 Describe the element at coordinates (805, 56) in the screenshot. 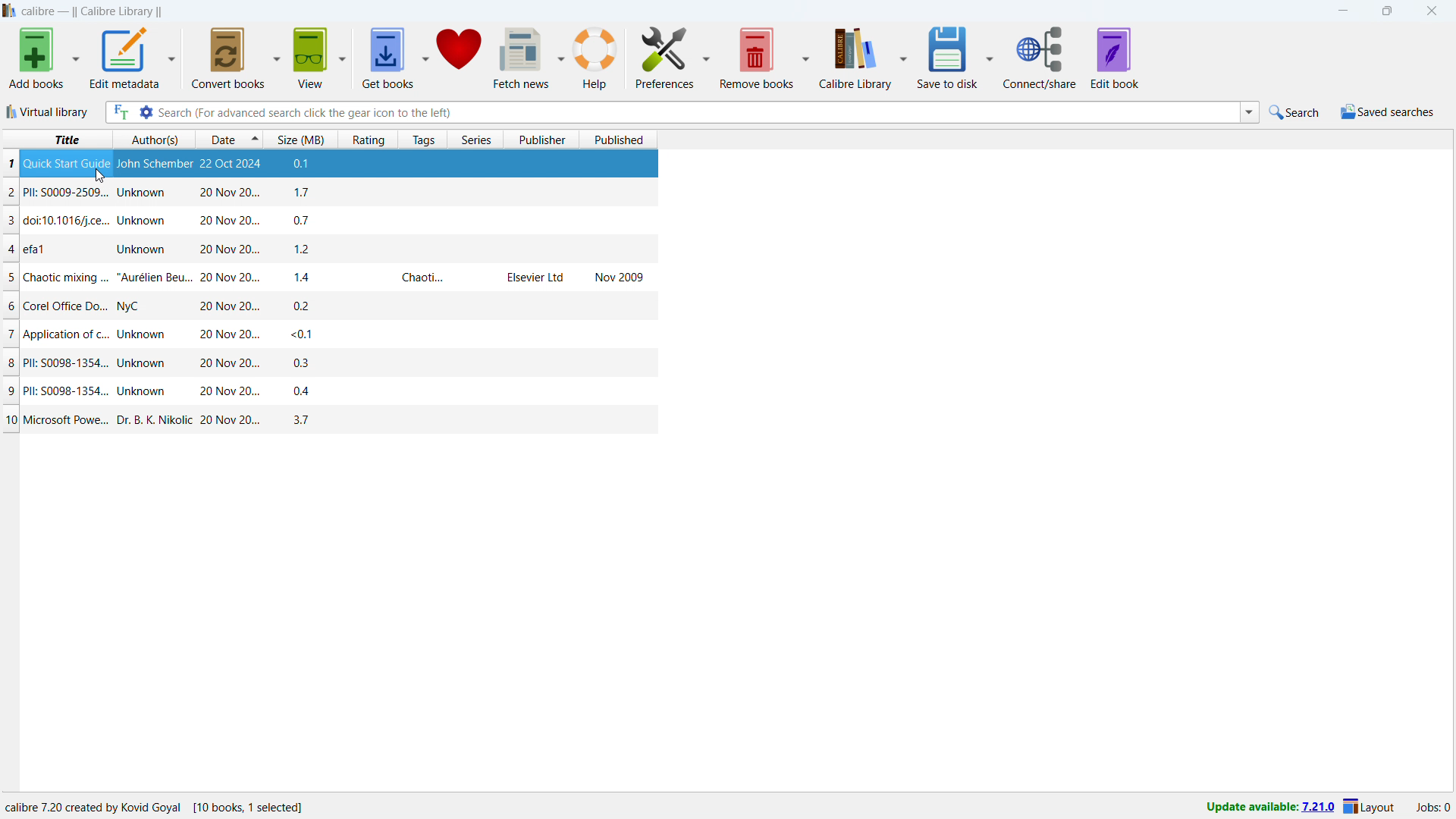

I see `remove books options` at that location.